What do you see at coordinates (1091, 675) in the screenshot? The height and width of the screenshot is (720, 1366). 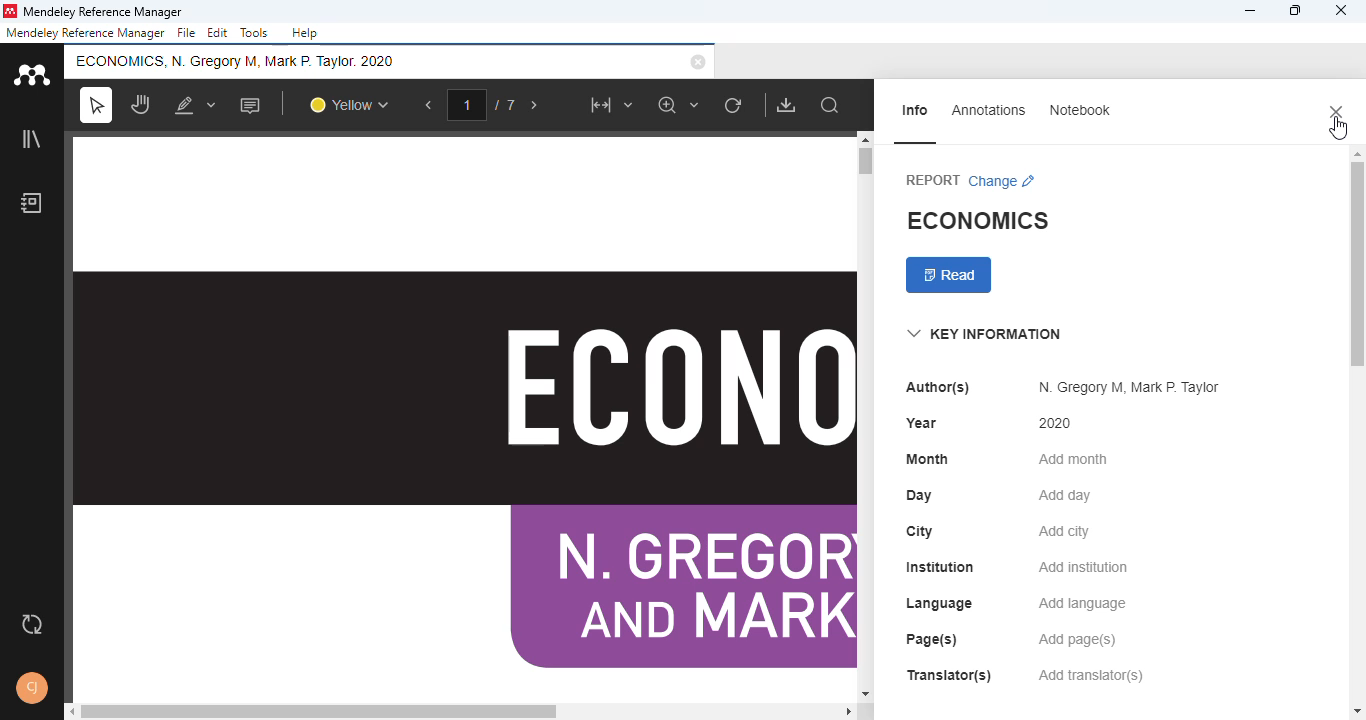 I see `add translator(s)` at bounding box center [1091, 675].